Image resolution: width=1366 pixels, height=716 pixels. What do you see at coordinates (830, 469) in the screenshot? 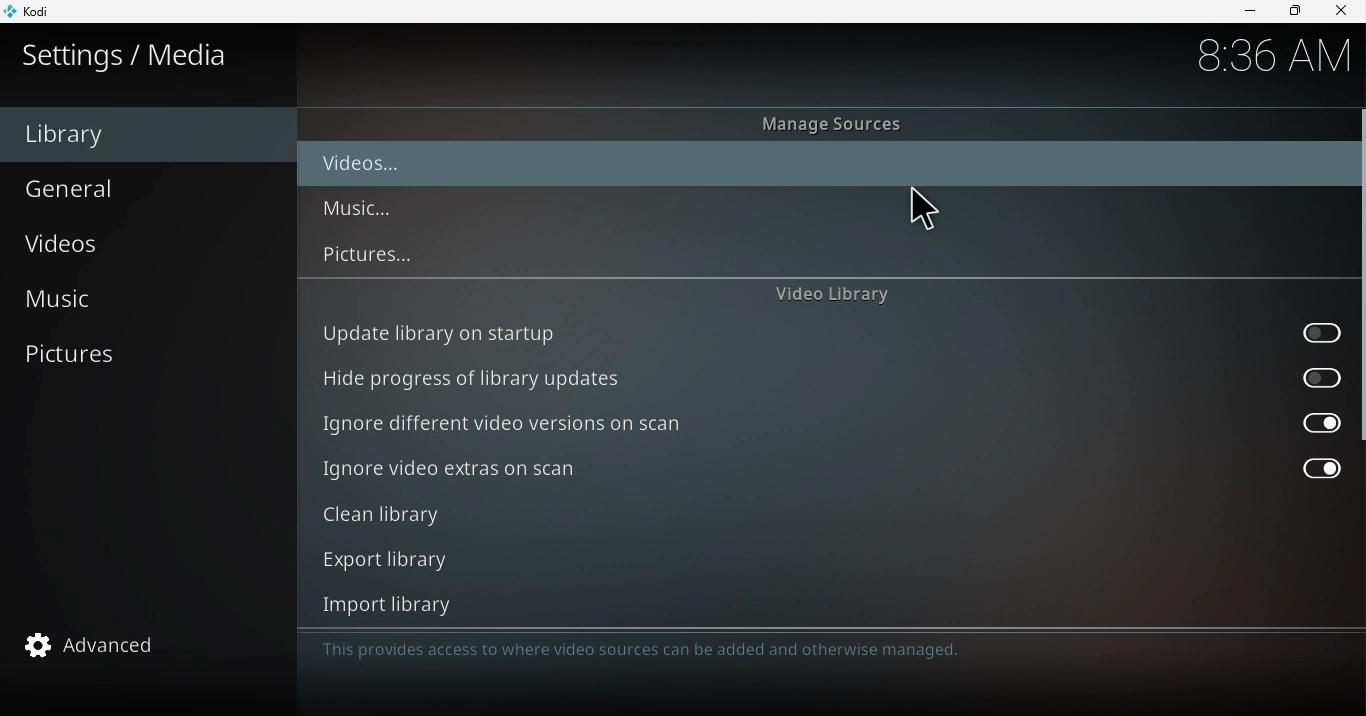
I see `Ignore video extras on scan` at bounding box center [830, 469].